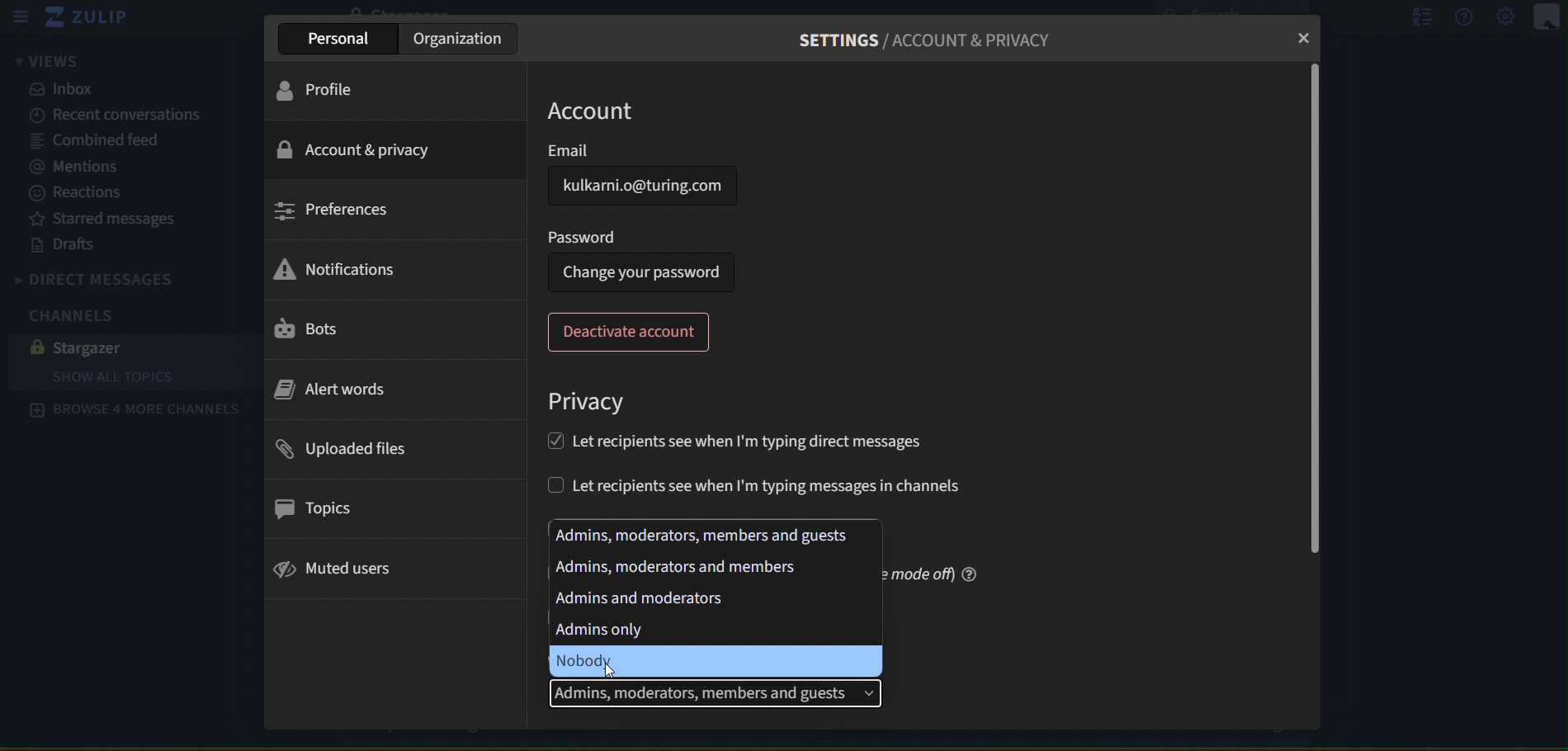 The height and width of the screenshot is (751, 1568). I want to click on personal menu, so click(1547, 17).